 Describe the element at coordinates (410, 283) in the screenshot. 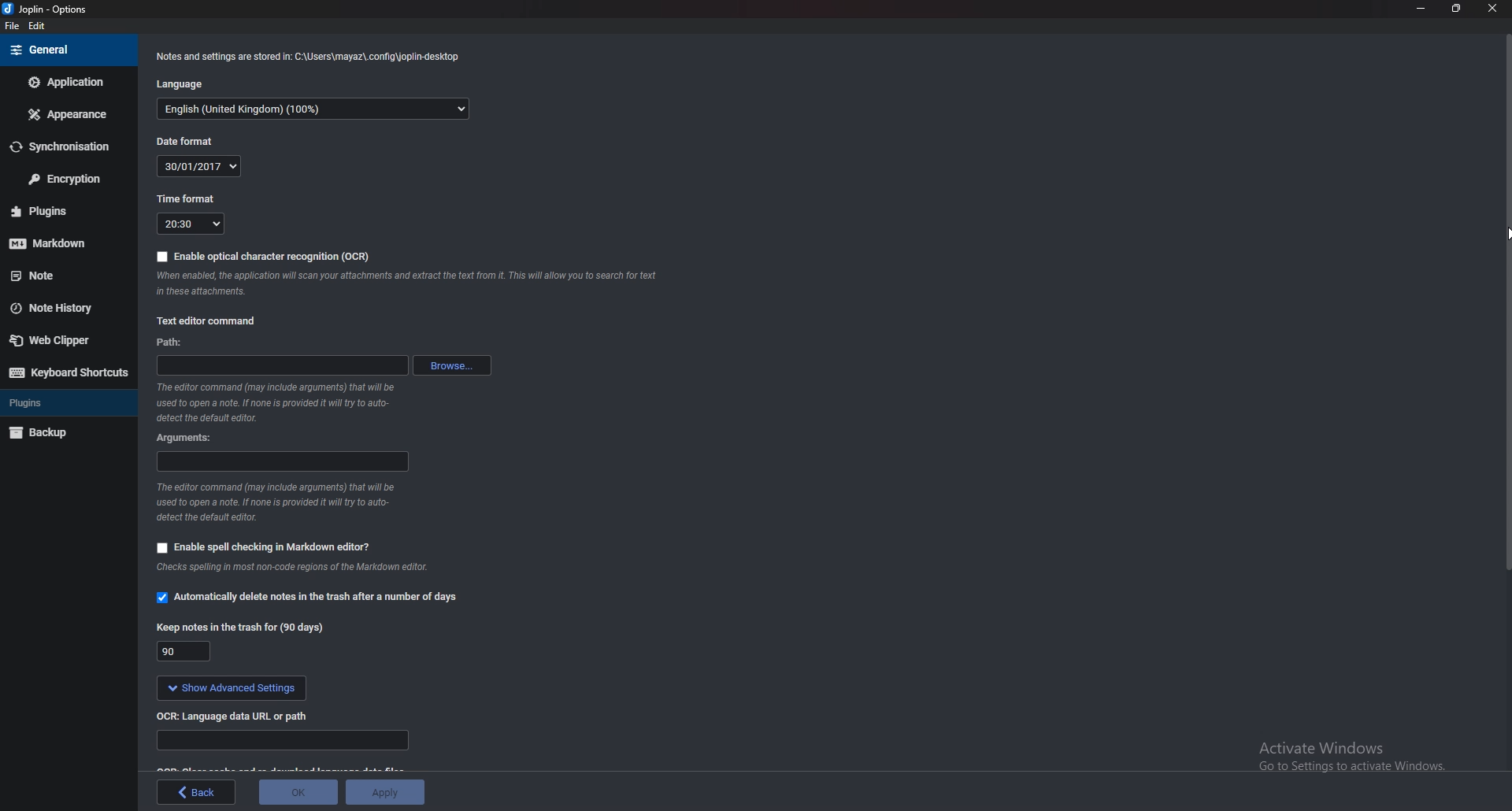

I see `Info` at that location.